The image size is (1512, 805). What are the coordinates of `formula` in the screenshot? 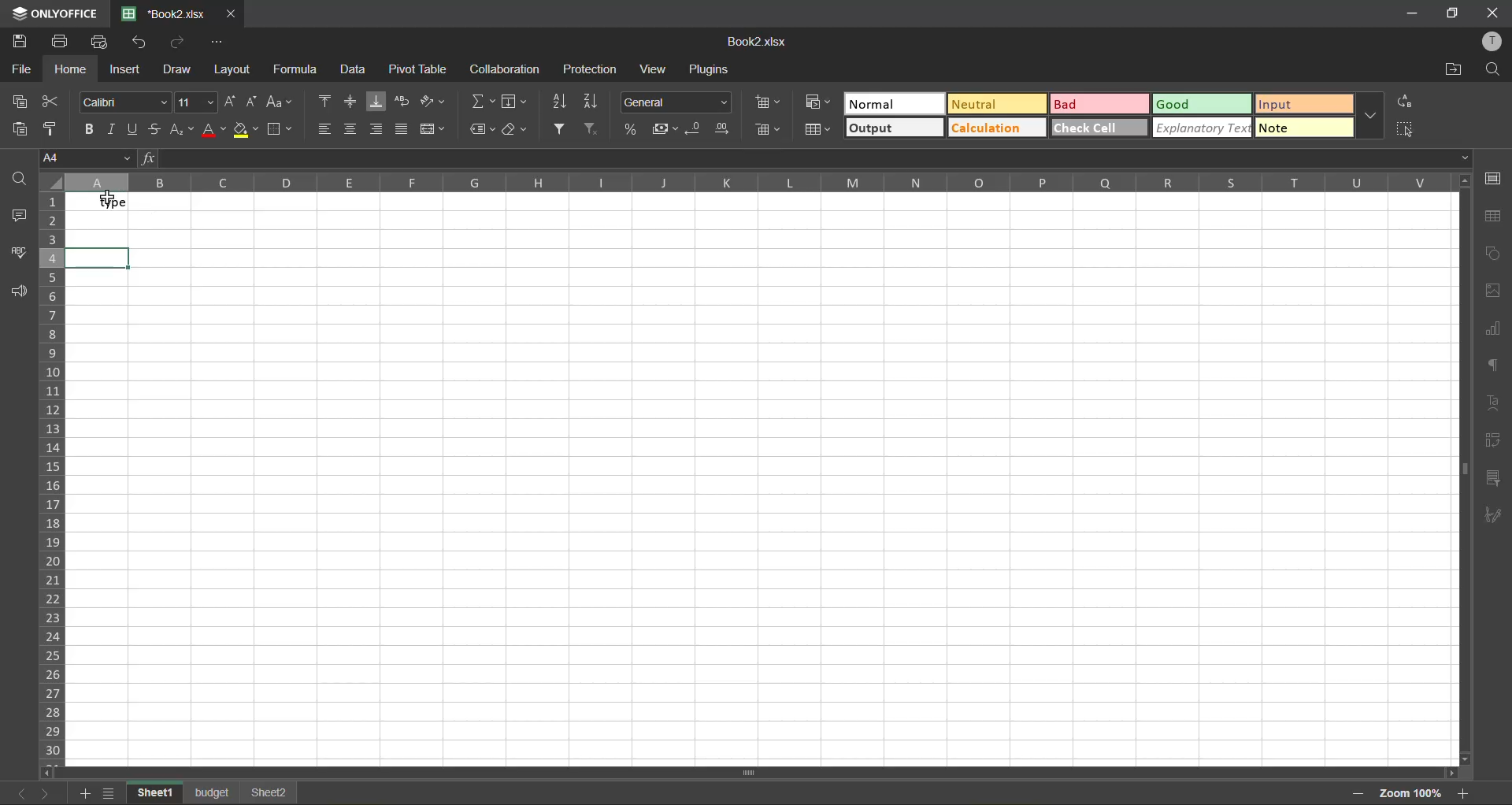 It's located at (298, 71).